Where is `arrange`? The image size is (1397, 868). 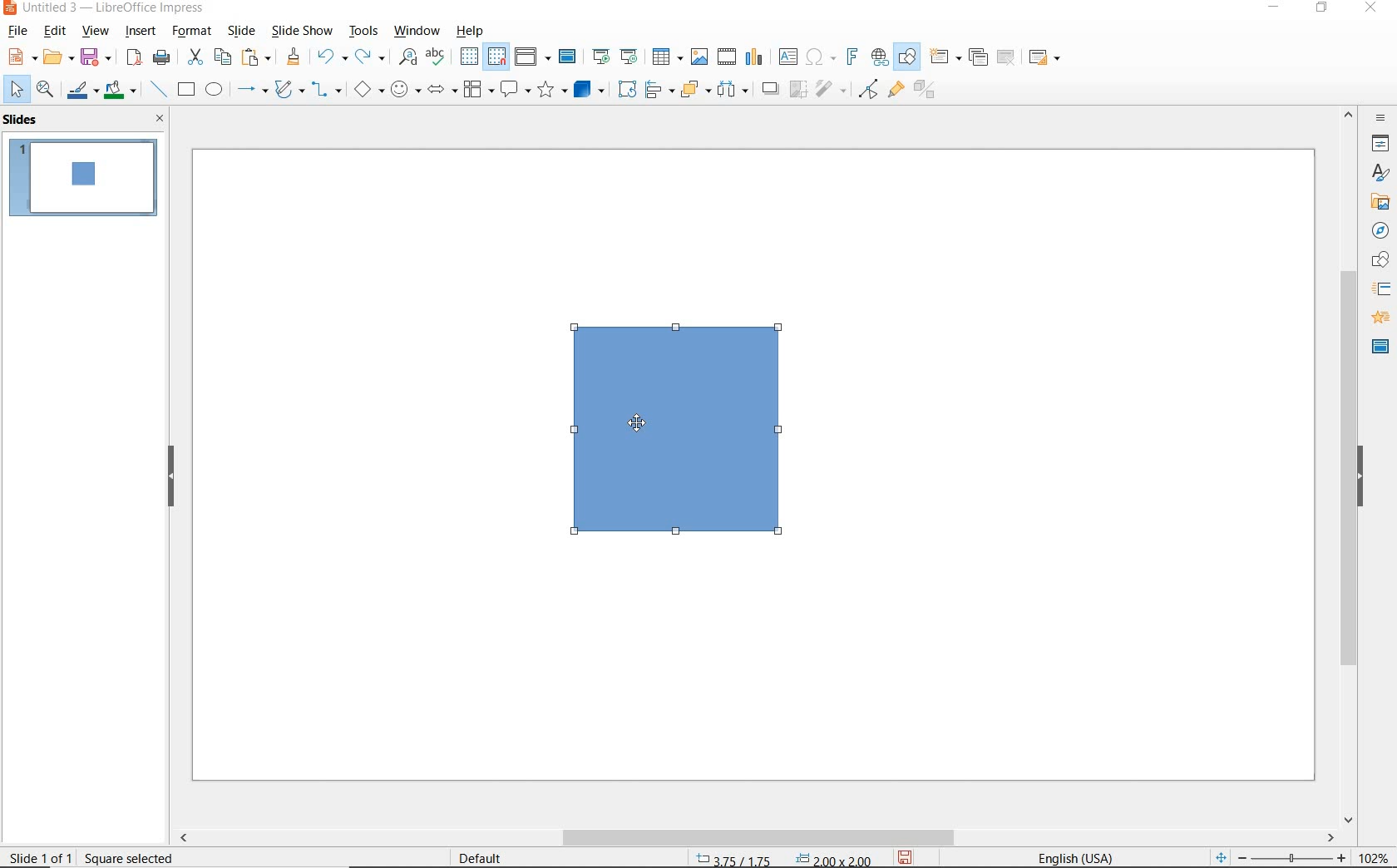 arrange is located at coordinates (695, 91).